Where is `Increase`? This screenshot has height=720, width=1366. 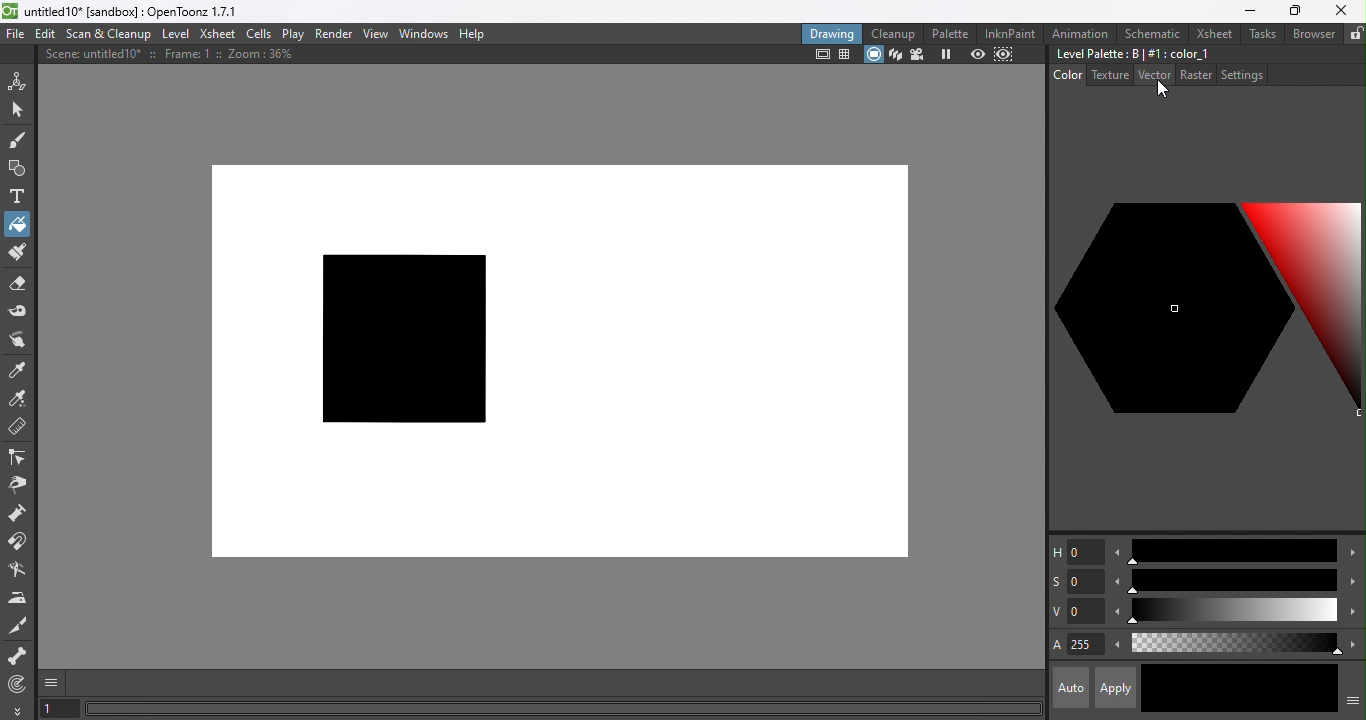
Increase is located at coordinates (1352, 555).